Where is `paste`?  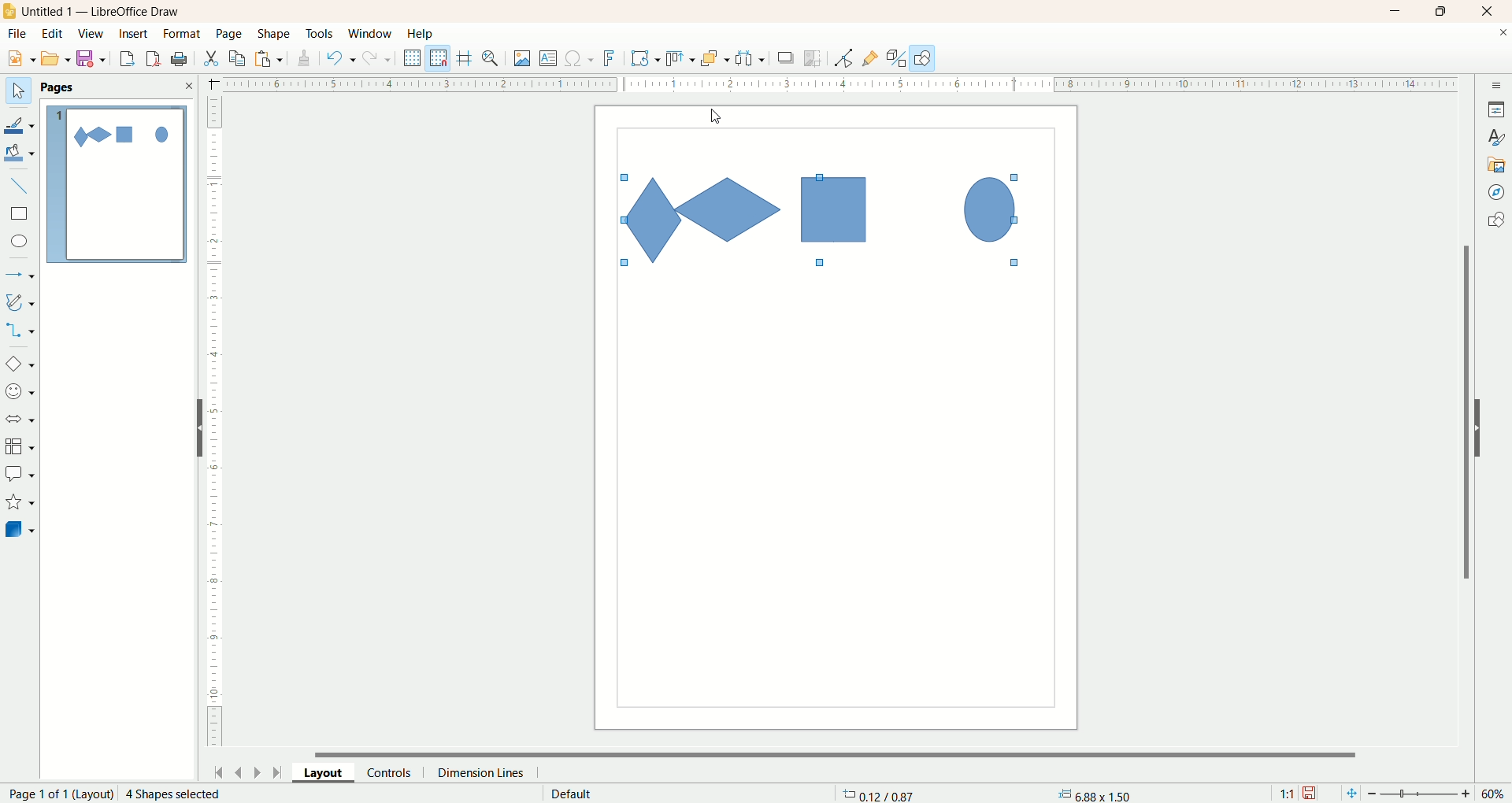
paste is located at coordinates (272, 57).